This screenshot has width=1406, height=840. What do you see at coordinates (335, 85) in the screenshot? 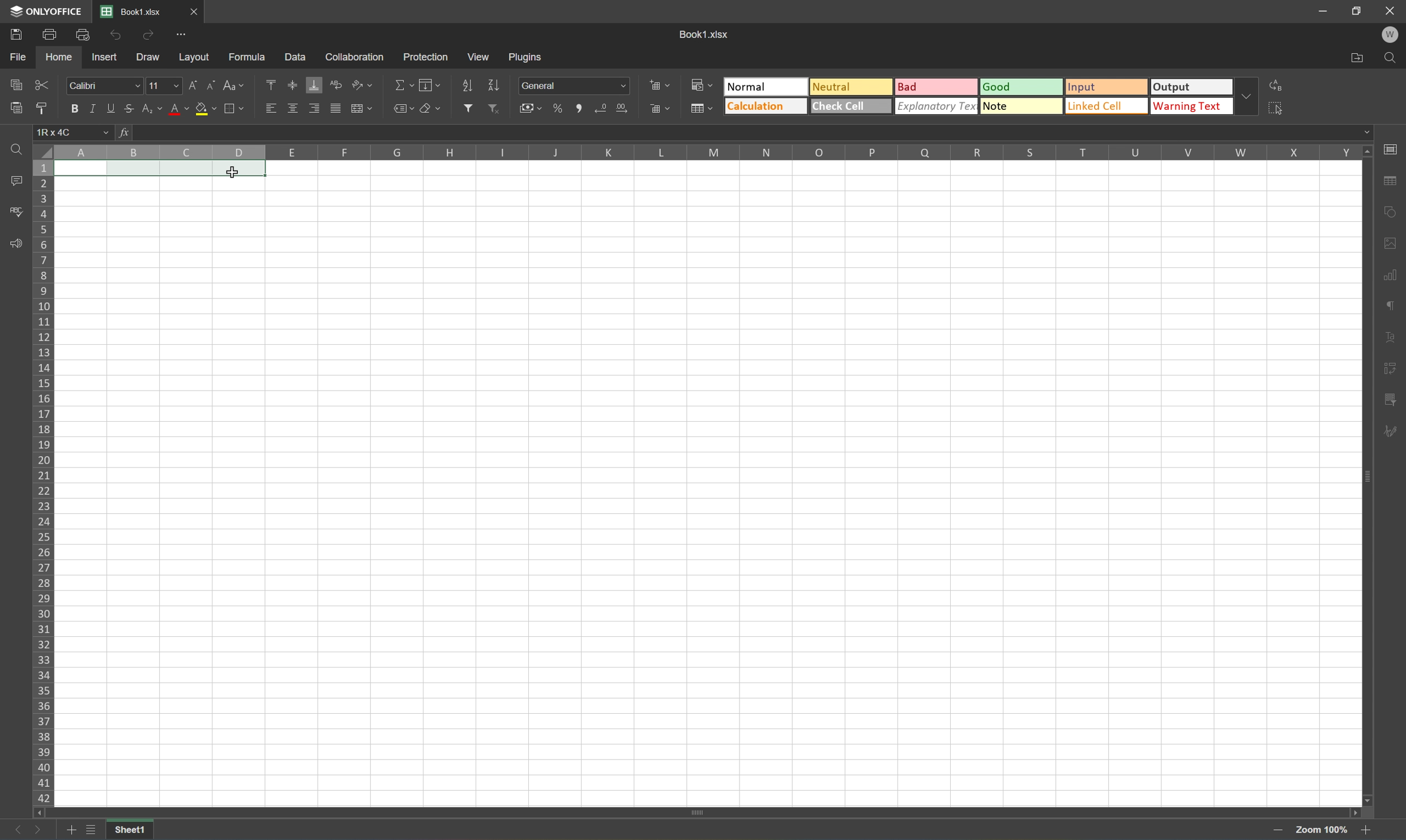
I see `Wrap text` at bounding box center [335, 85].